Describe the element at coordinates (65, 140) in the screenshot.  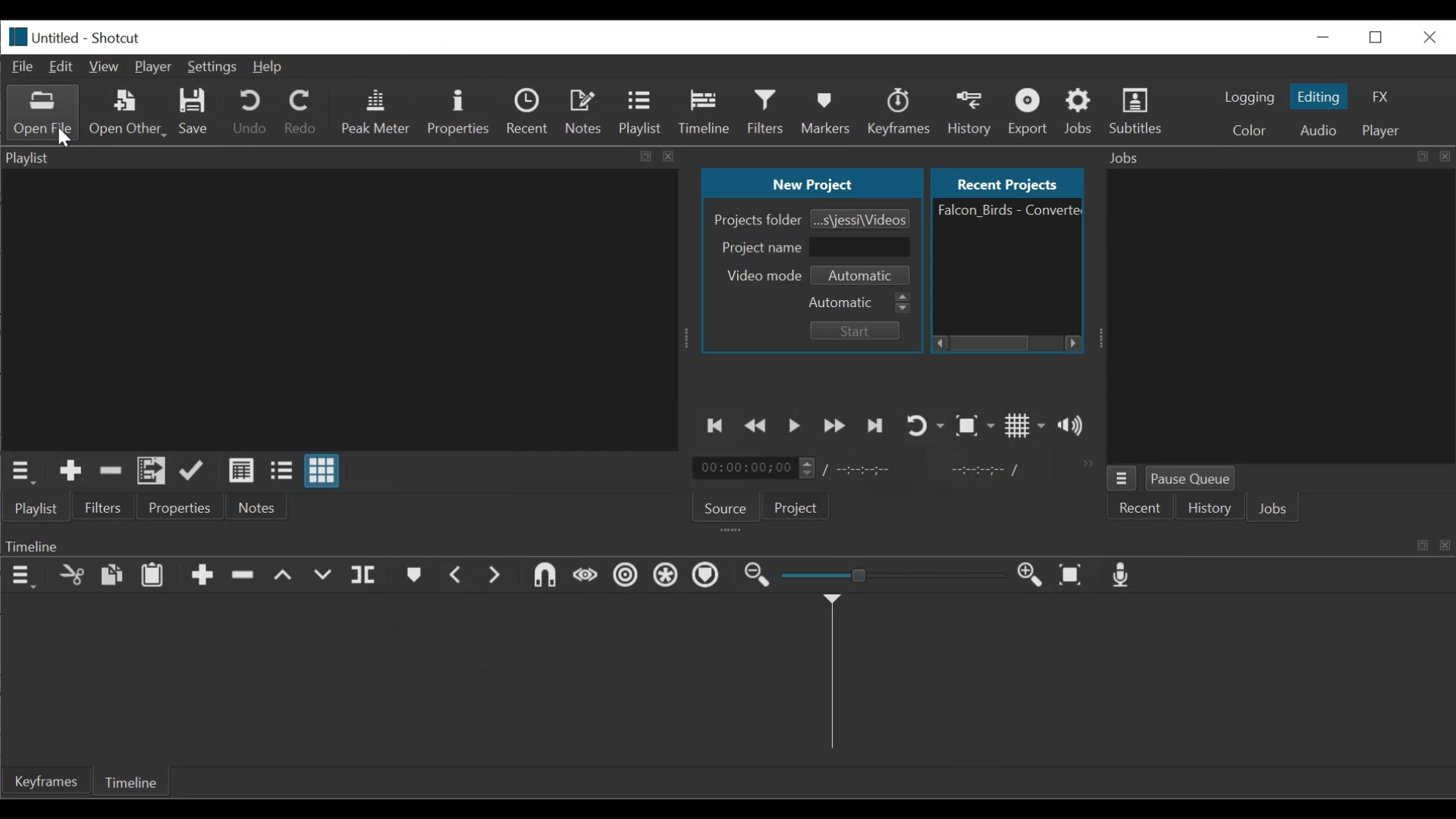
I see `Cursor` at that location.